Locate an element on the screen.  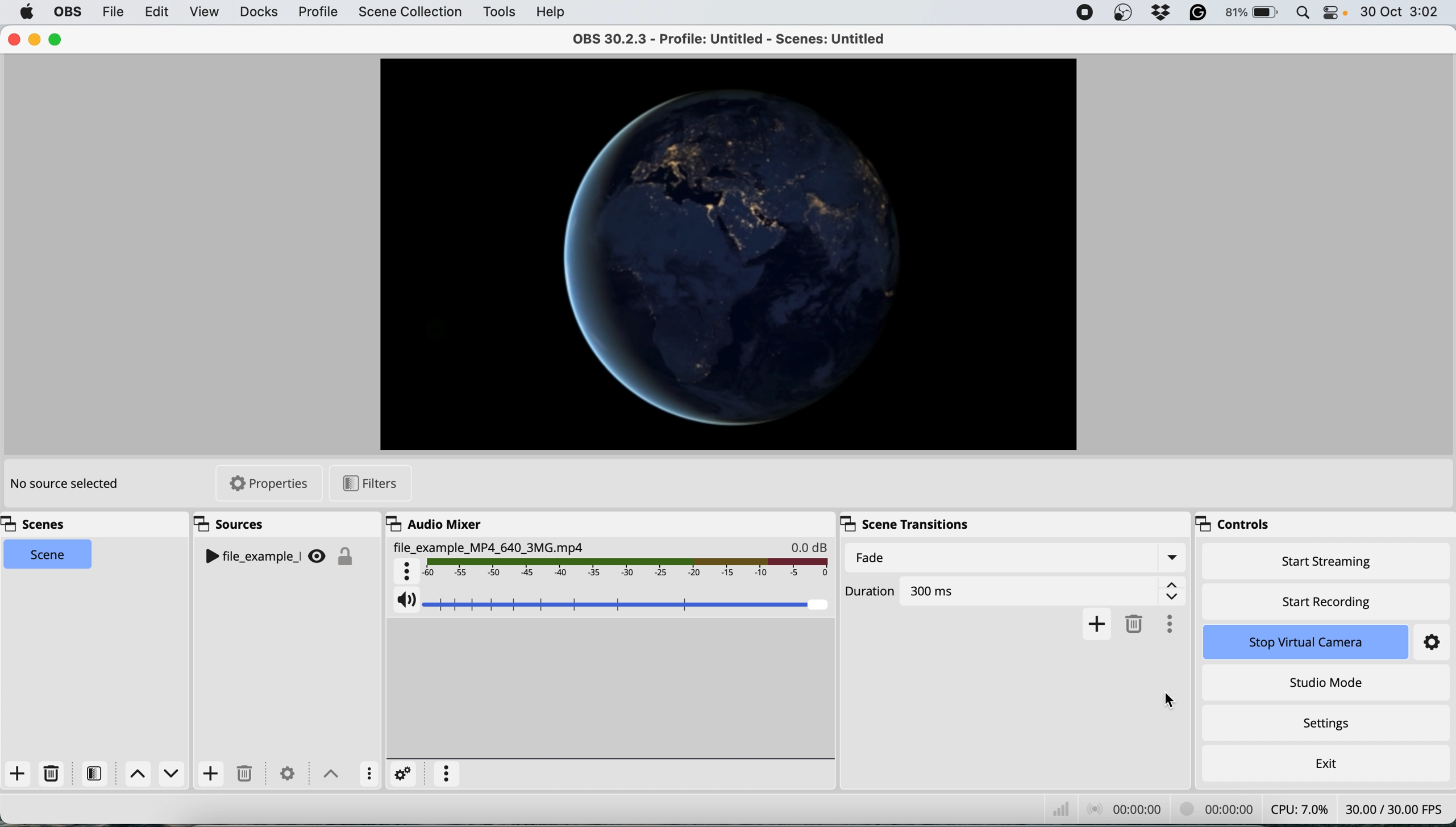
delete scene is located at coordinates (51, 773).